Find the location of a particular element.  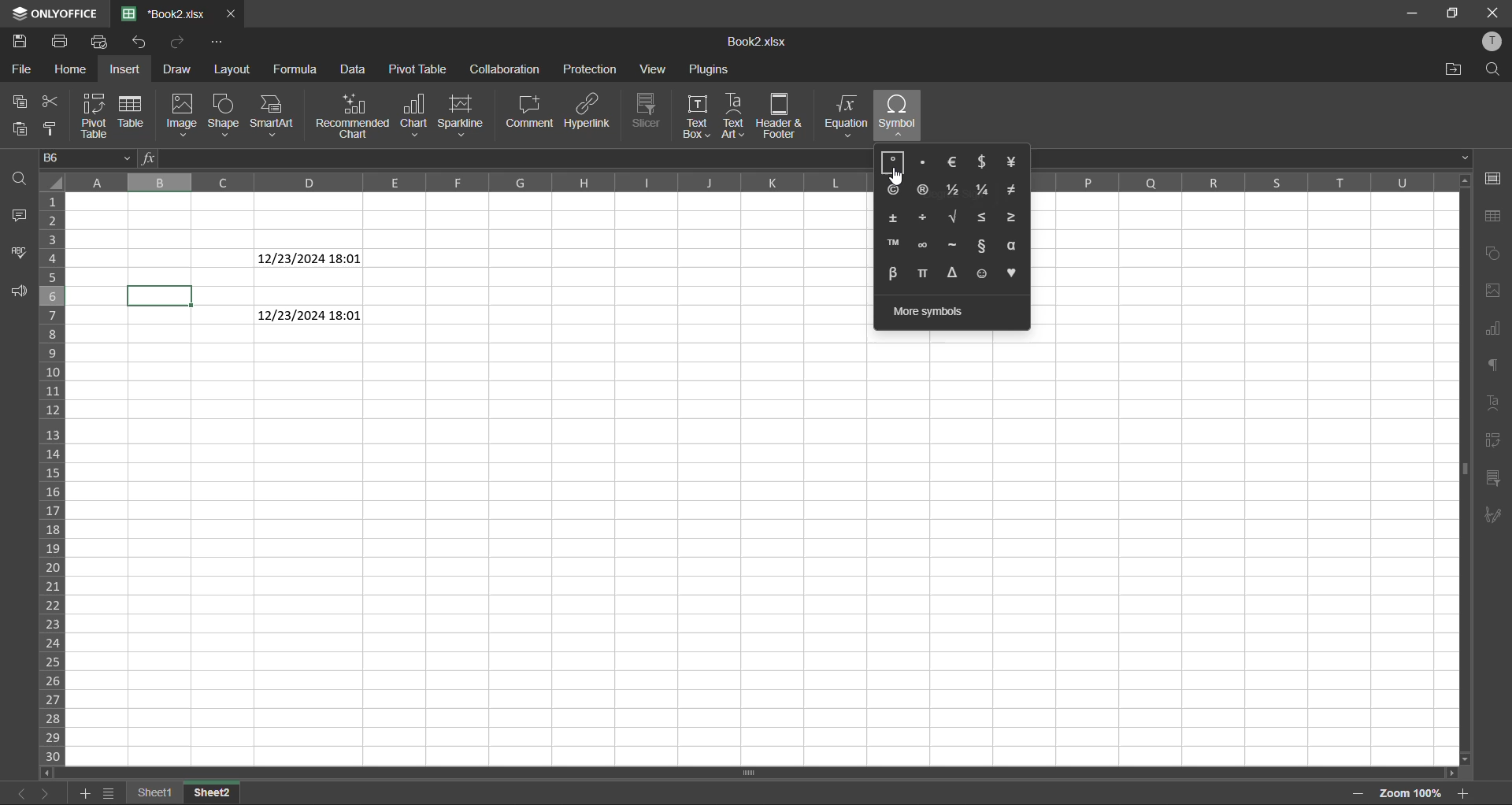

chart is located at coordinates (1492, 253).